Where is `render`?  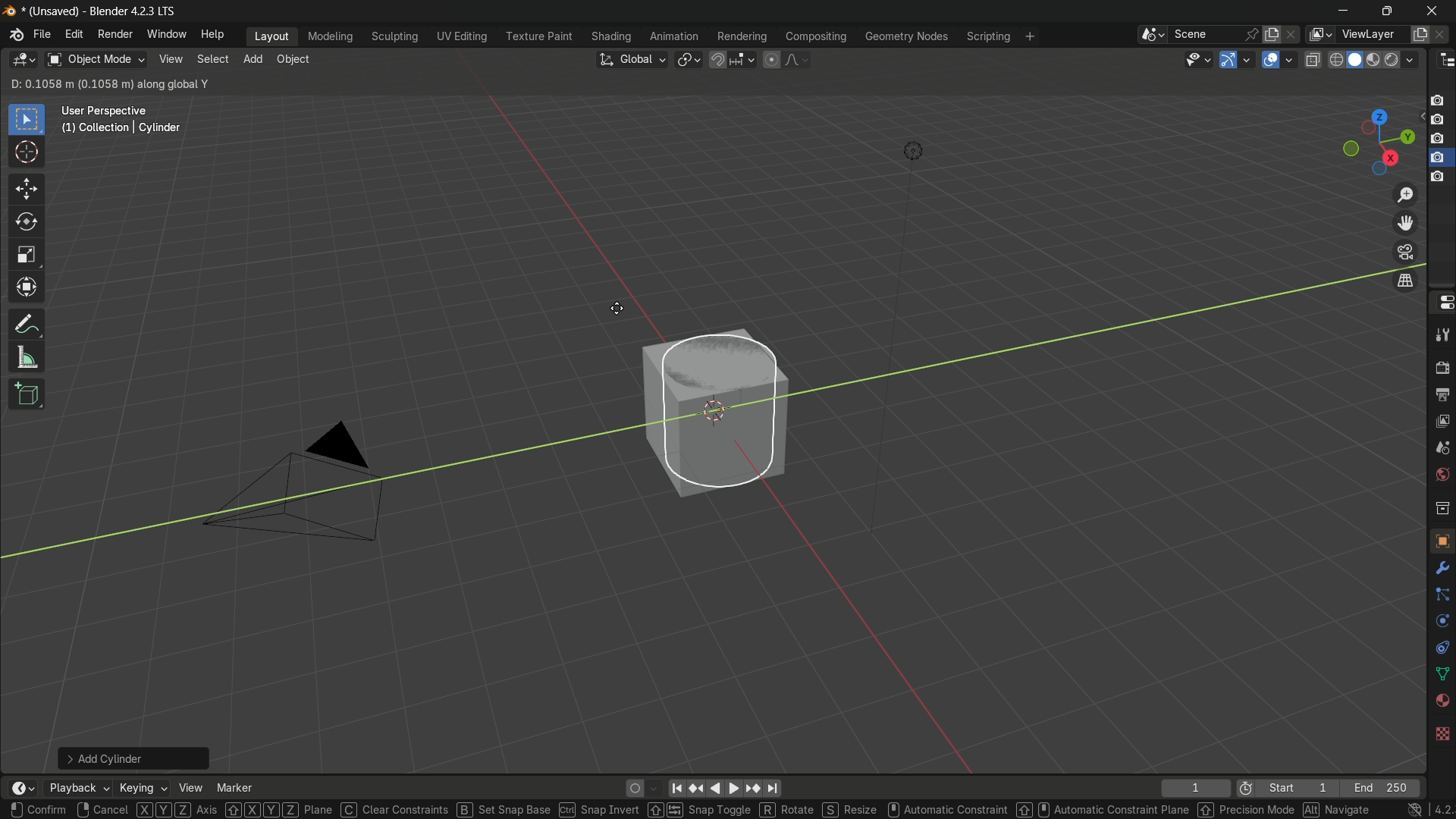 render is located at coordinates (1403, 59).